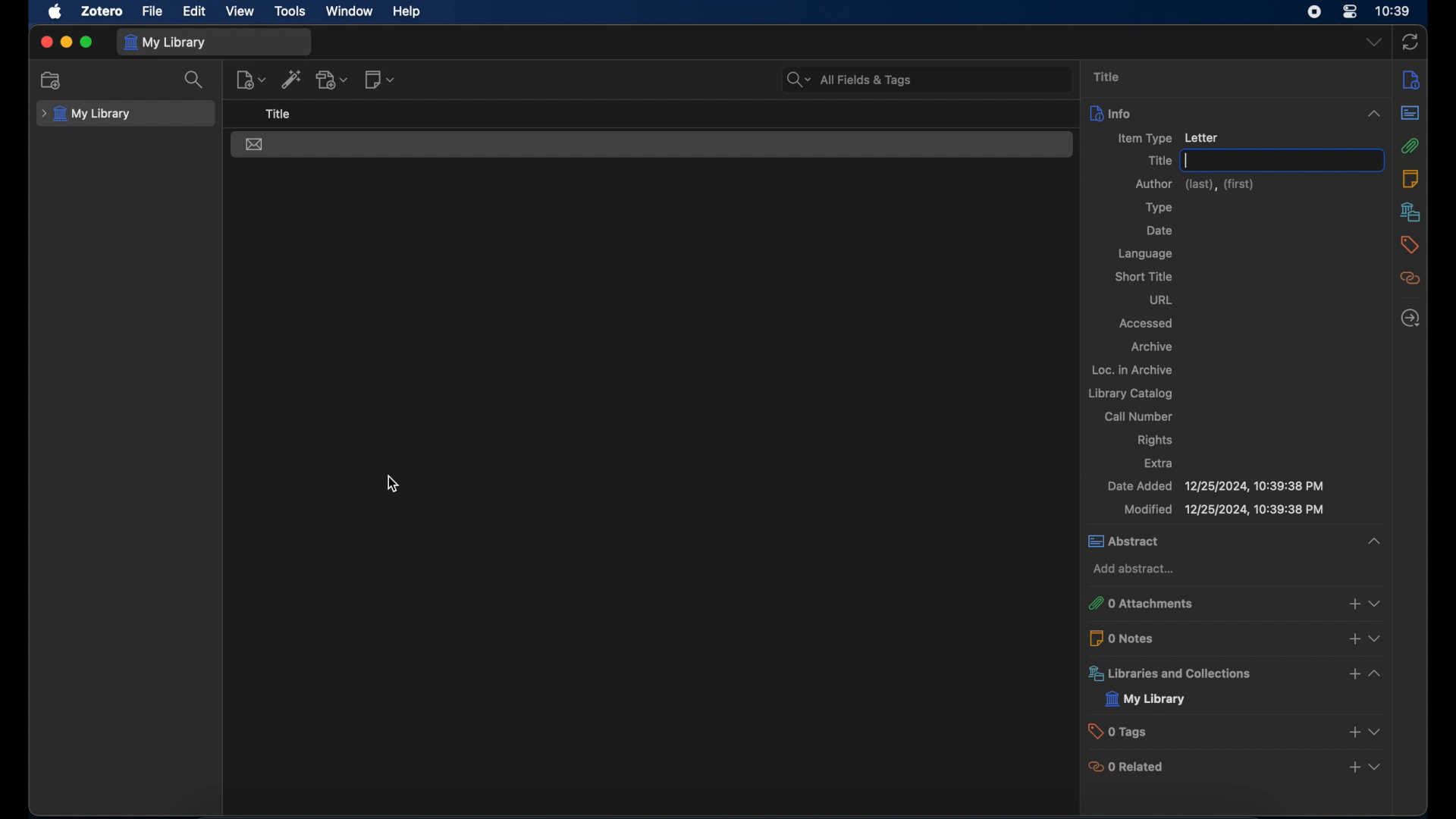  I want to click on attachments, so click(1410, 146).